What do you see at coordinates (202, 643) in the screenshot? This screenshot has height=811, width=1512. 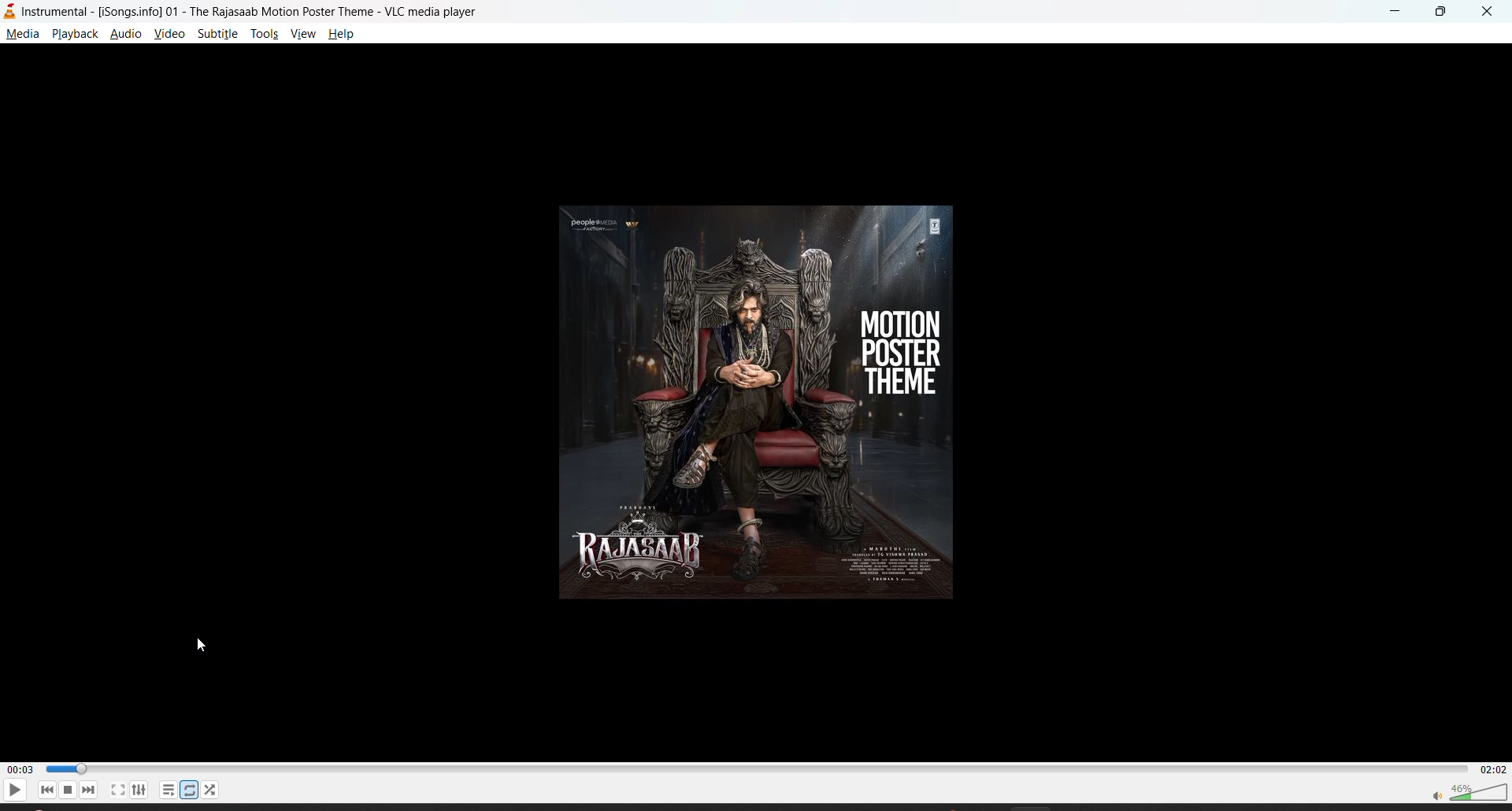 I see `cursor` at bounding box center [202, 643].